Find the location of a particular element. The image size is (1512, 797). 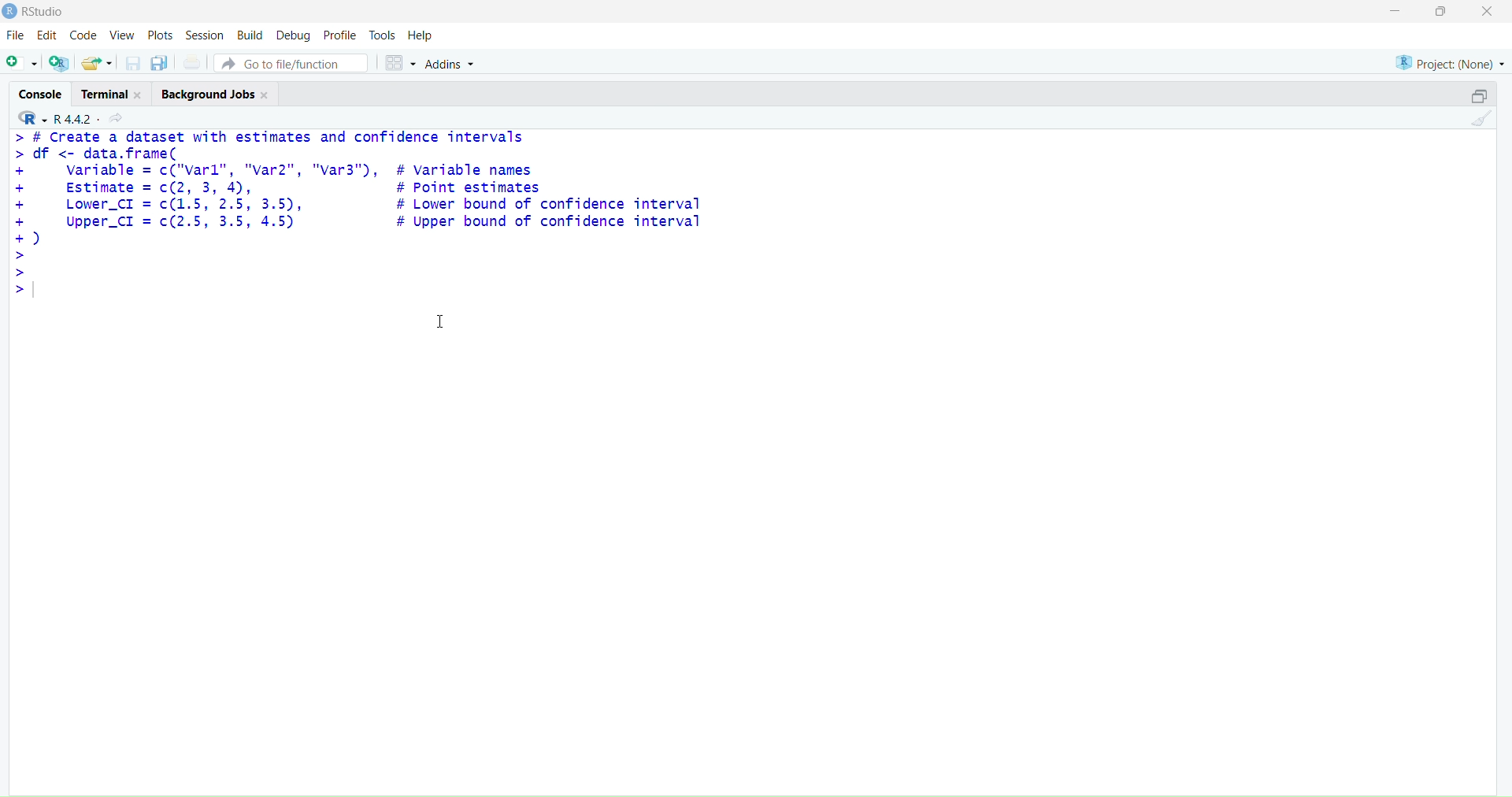

Tools is located at coordinates (384, 35).